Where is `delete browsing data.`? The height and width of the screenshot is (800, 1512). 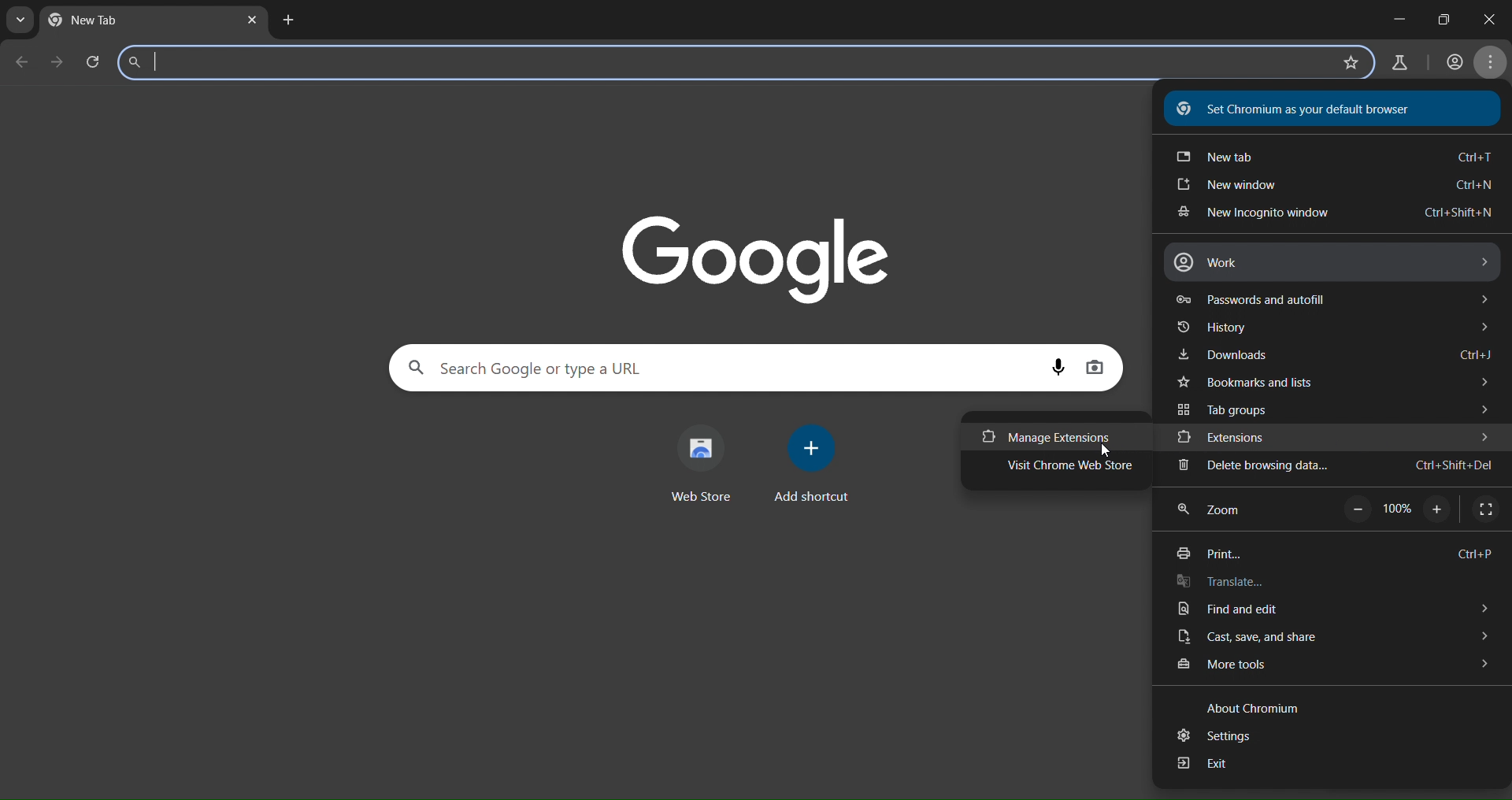 delete browsing data. is located at coordinates (1337, 467).